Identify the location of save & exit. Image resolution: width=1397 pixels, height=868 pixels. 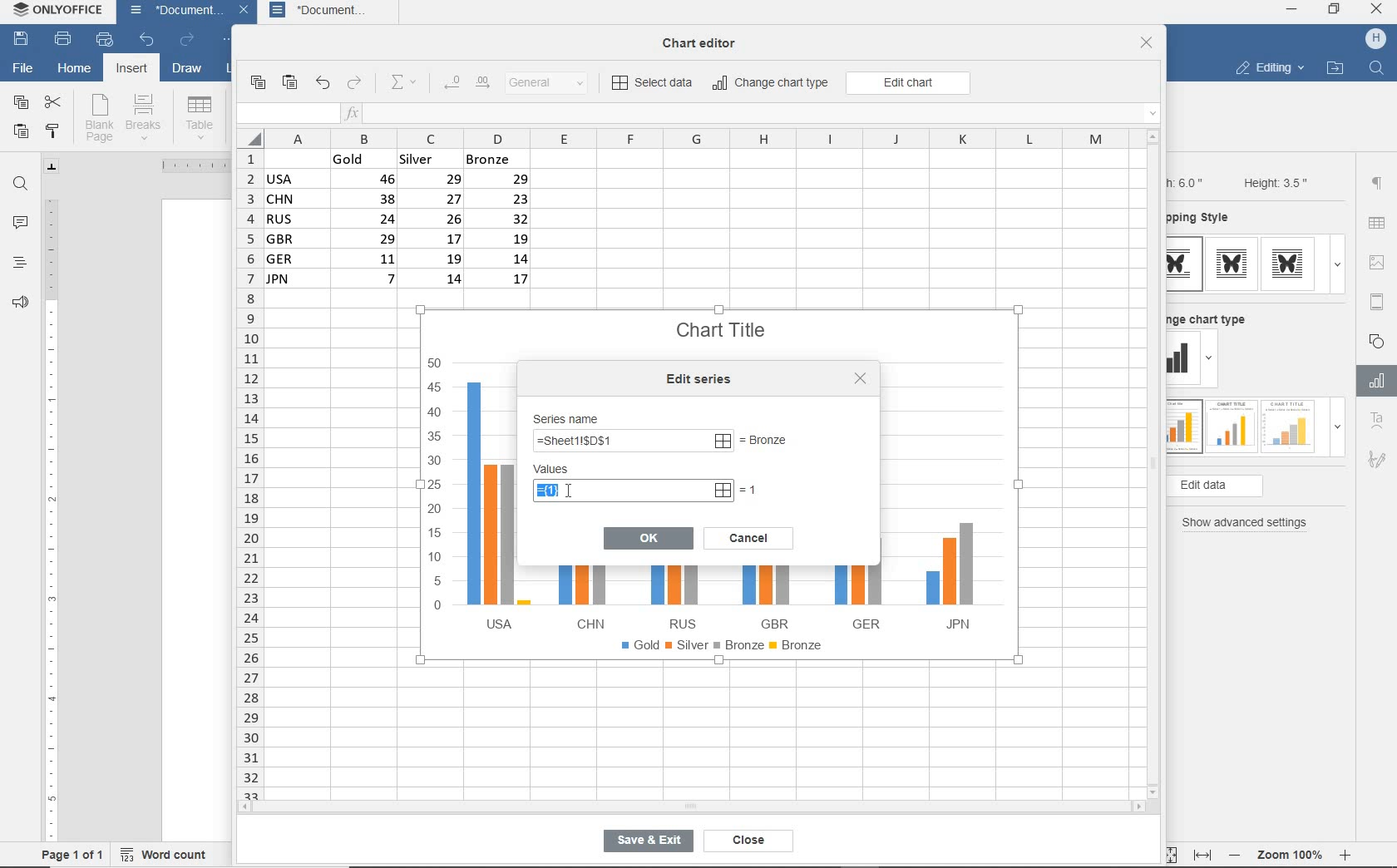
(645, 844).